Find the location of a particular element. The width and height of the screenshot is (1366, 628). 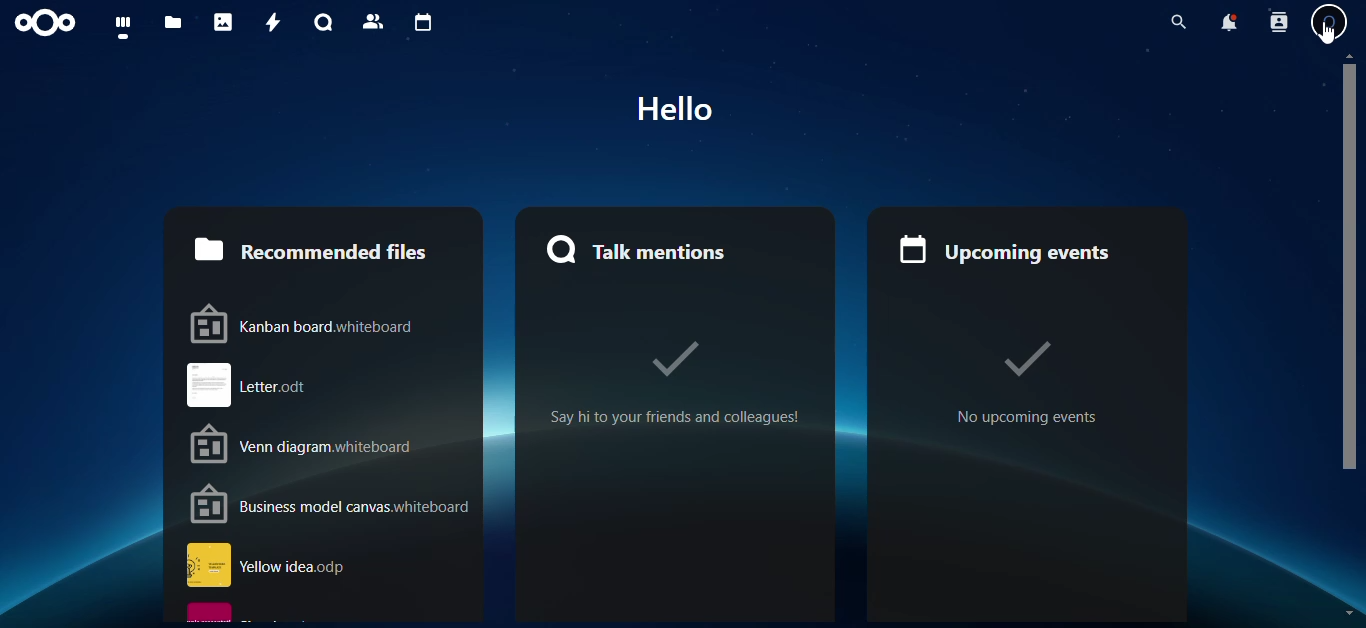

Yellow idea.odp is located at coordinates (329, 565).